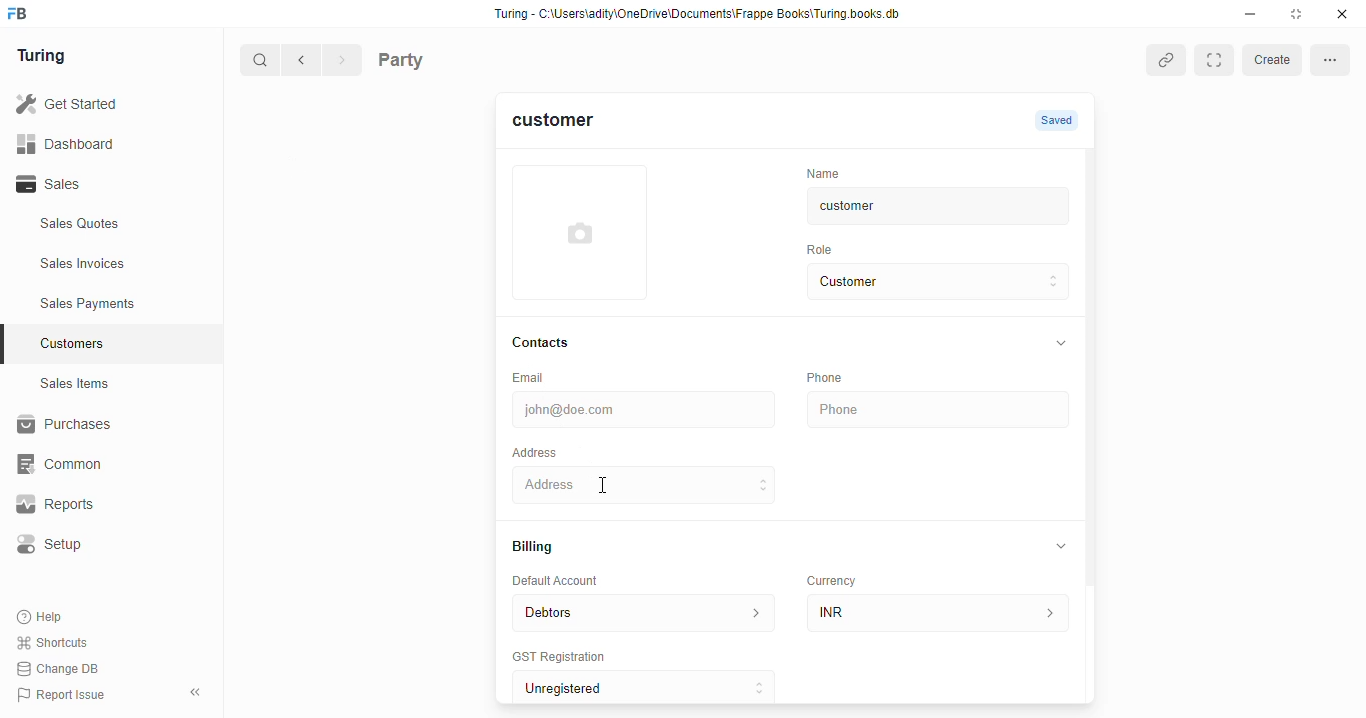 This screenshot has width=1366, height=718. Describe the element at coordinates (1271, 61) in the screenshot. I see `create` at that location.